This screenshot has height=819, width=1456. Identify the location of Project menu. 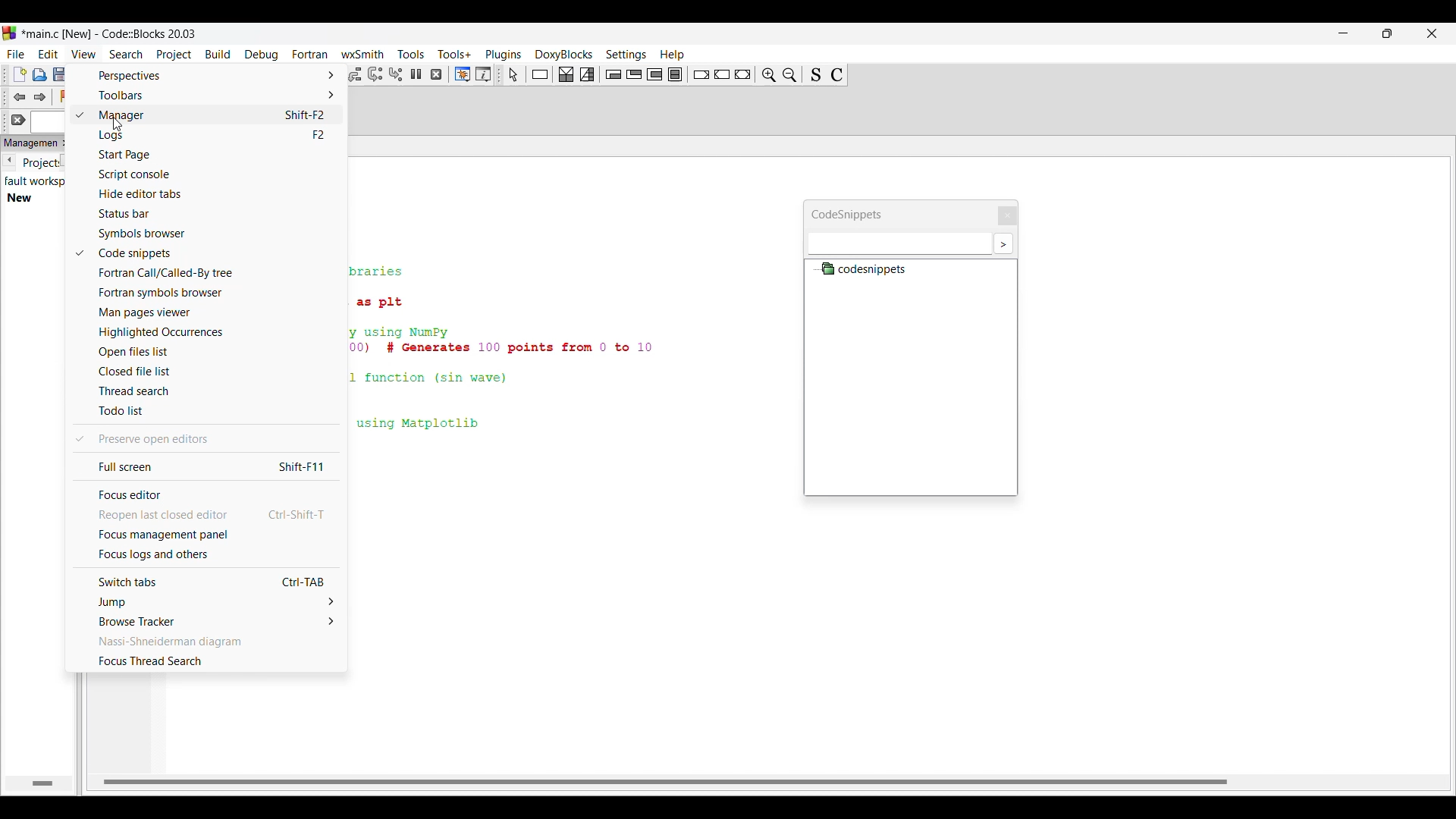
(174, 55).